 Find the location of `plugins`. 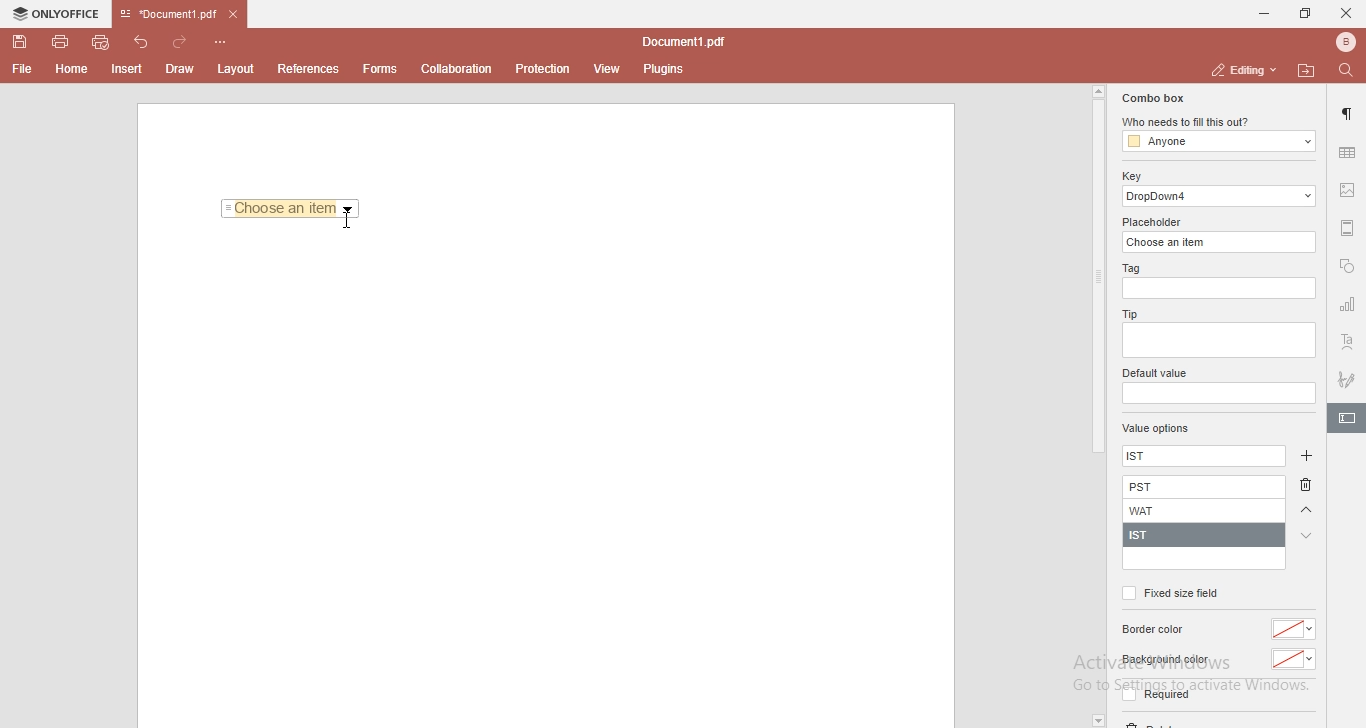

plugins is located at coordinates (664, 70).